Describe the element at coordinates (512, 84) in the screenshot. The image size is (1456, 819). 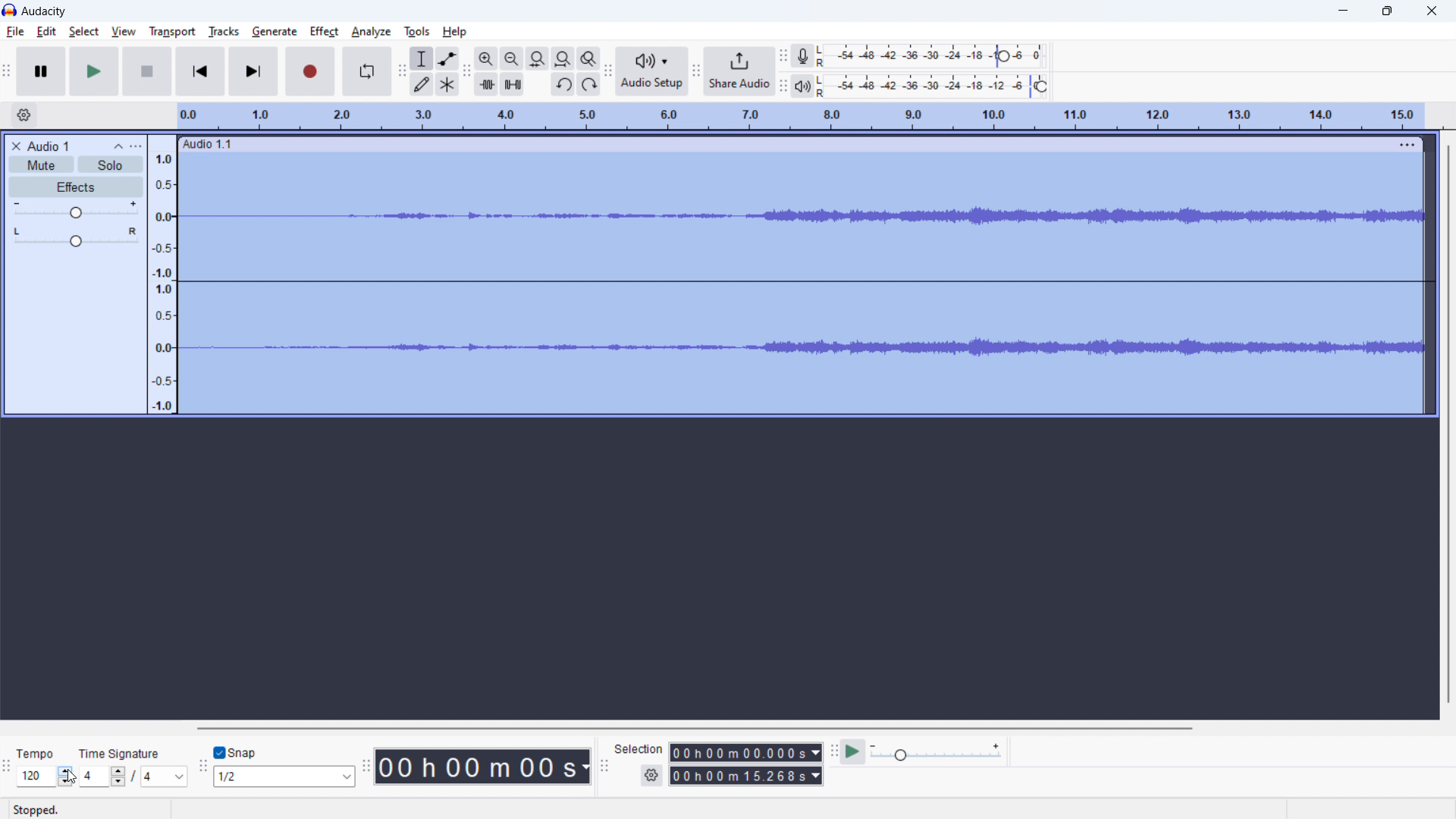
I see `silence audio selection` at that location.